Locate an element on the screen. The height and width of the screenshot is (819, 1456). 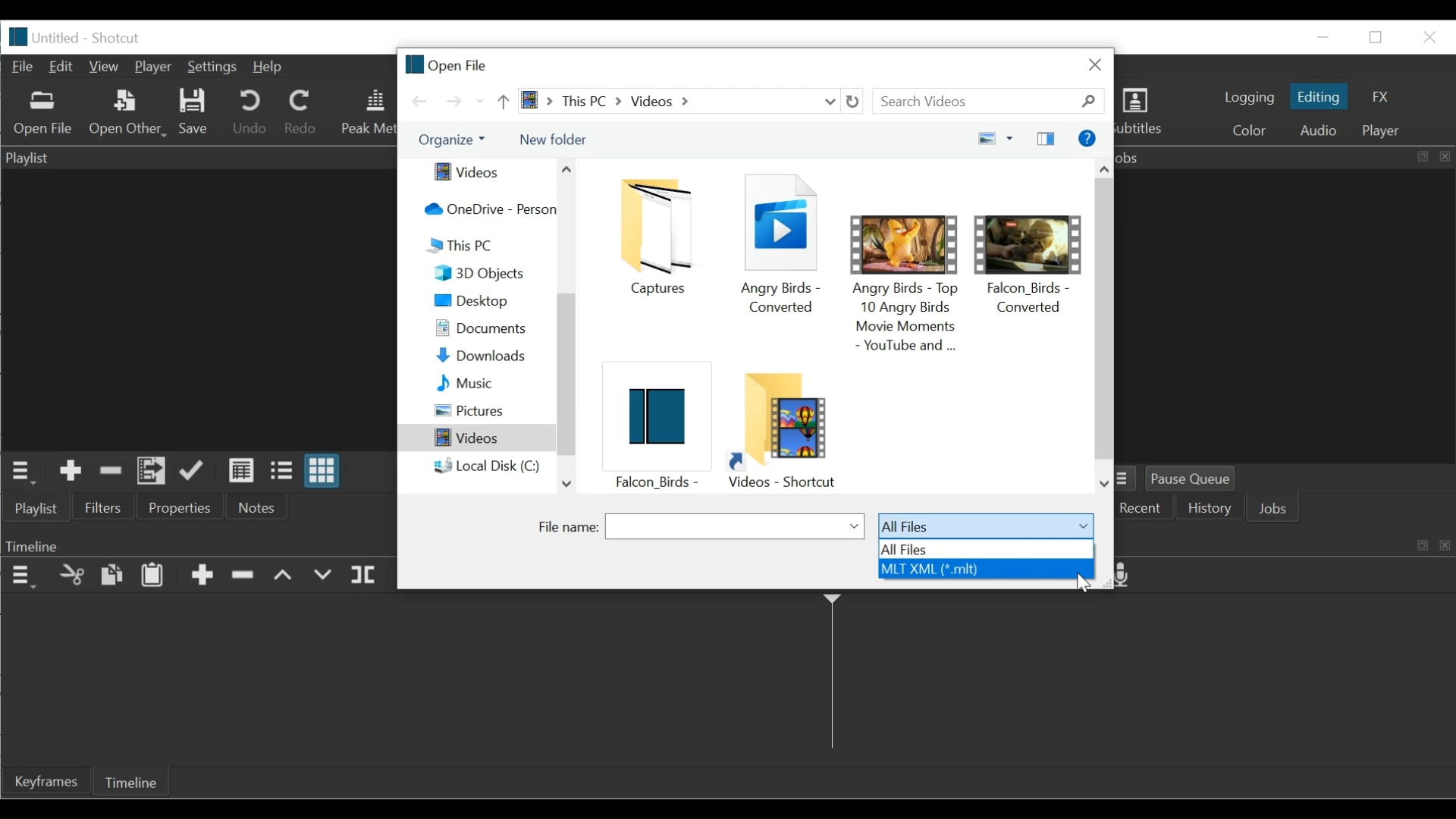
View as icons is located at coordinates (325, 471).